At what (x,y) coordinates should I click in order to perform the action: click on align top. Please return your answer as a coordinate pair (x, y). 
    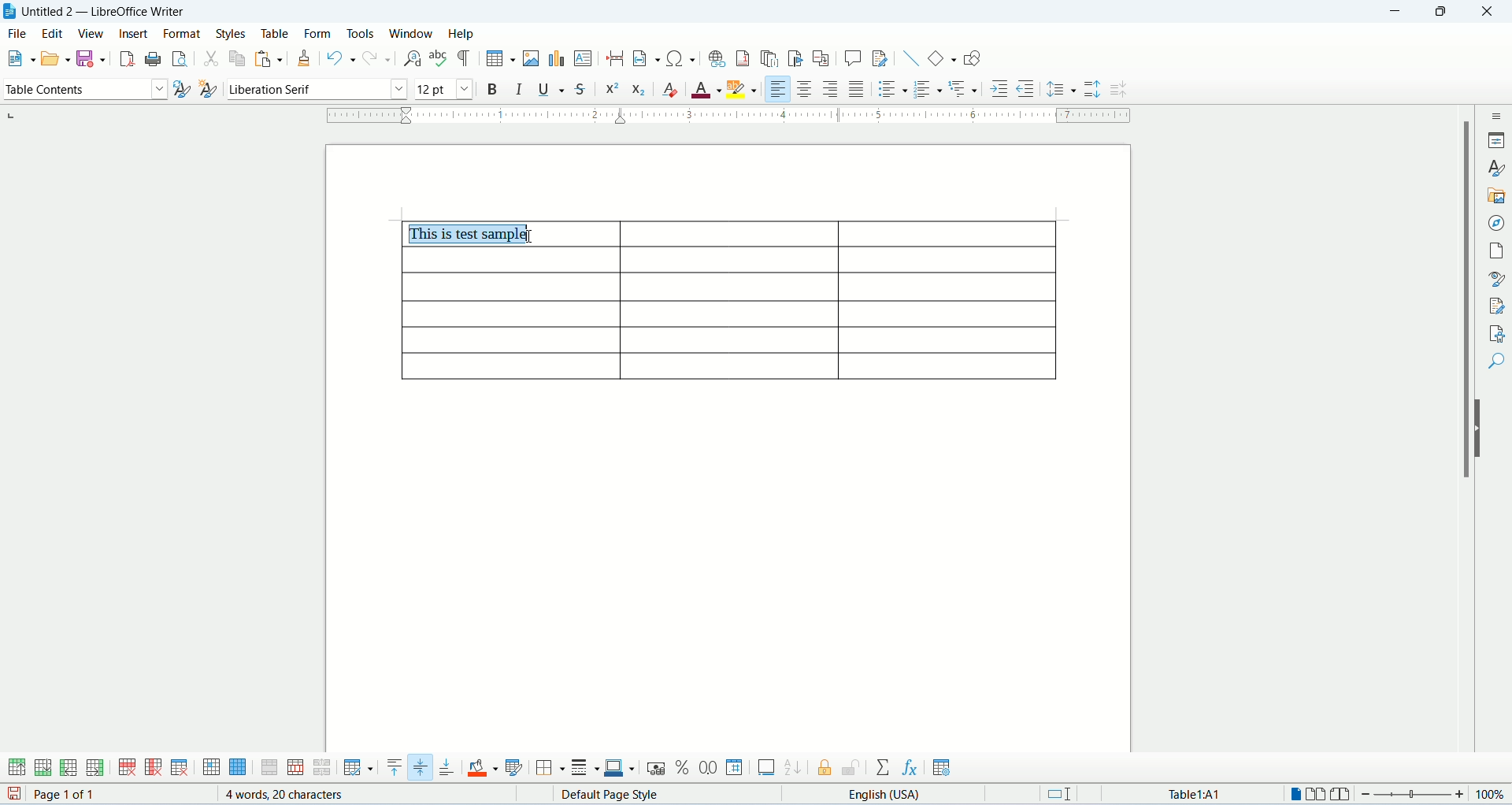
    Looking at the image, I should click on (392, 769).